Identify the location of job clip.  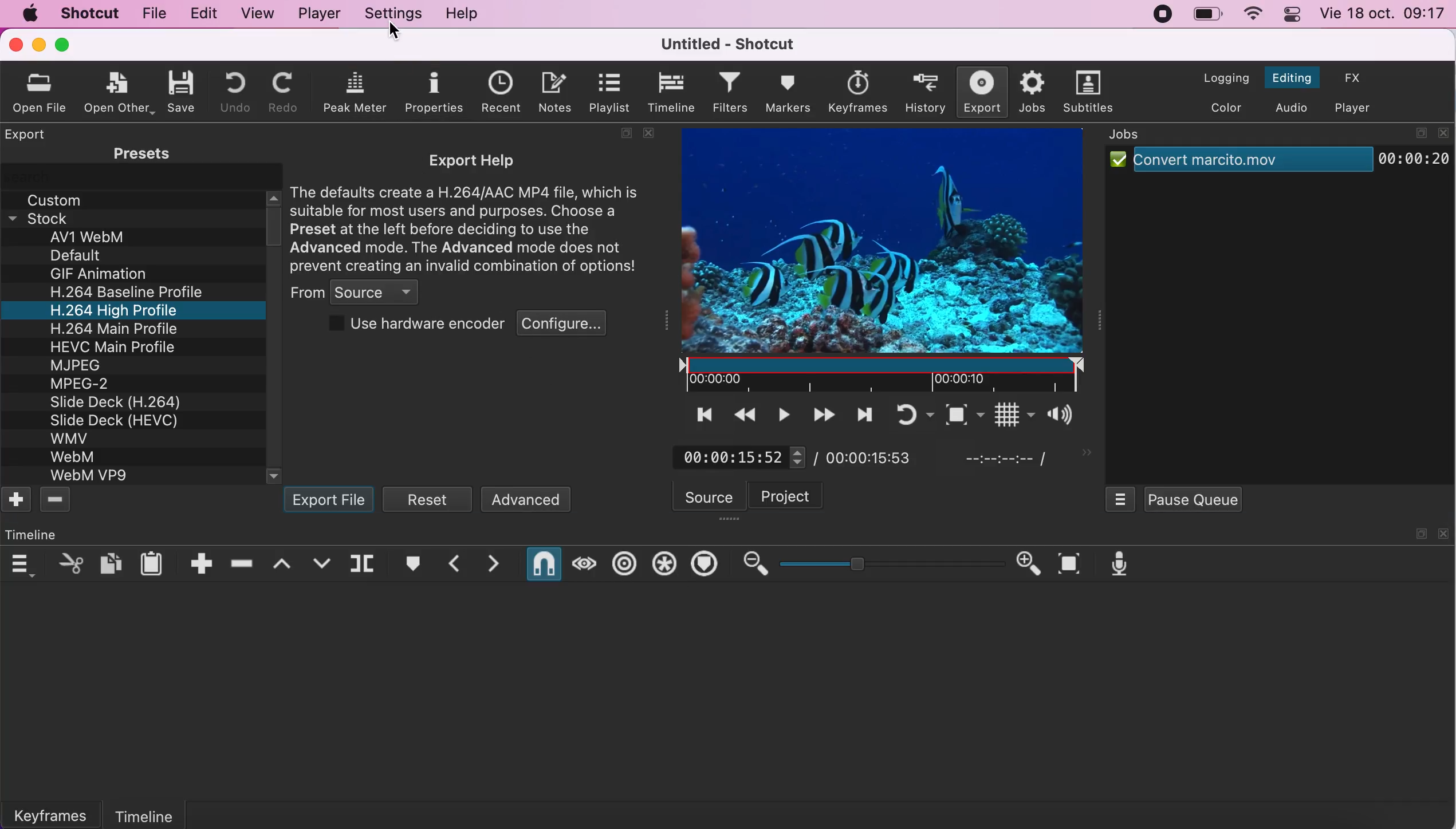
(1278, 165).